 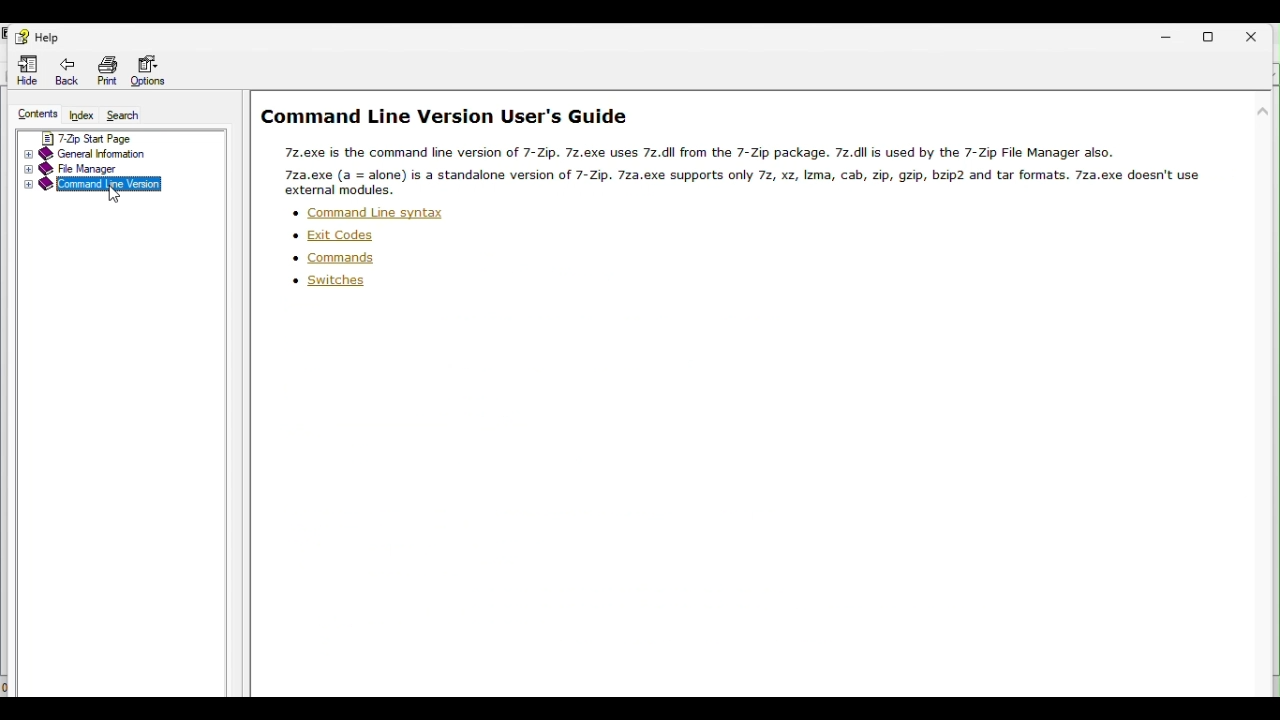 What do you see at coordinates (1167, 32) in the screenshot?
I see `Minimize` at bounding box center [1167, 32].